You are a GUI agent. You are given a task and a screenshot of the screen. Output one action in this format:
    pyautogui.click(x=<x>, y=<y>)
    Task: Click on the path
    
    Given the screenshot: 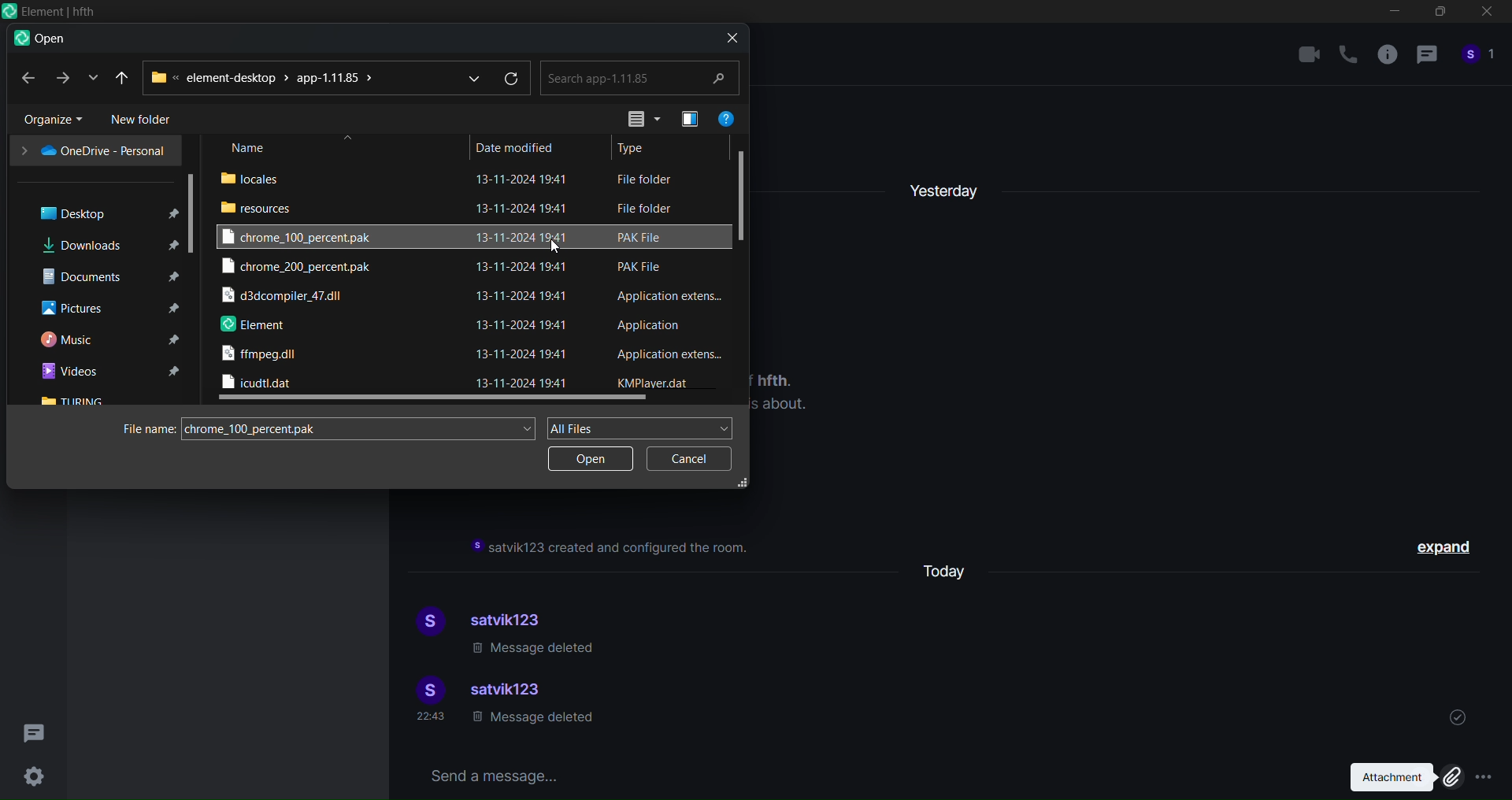 What is the action you would take?
    pyautogui.click(x=265, y=77)
    